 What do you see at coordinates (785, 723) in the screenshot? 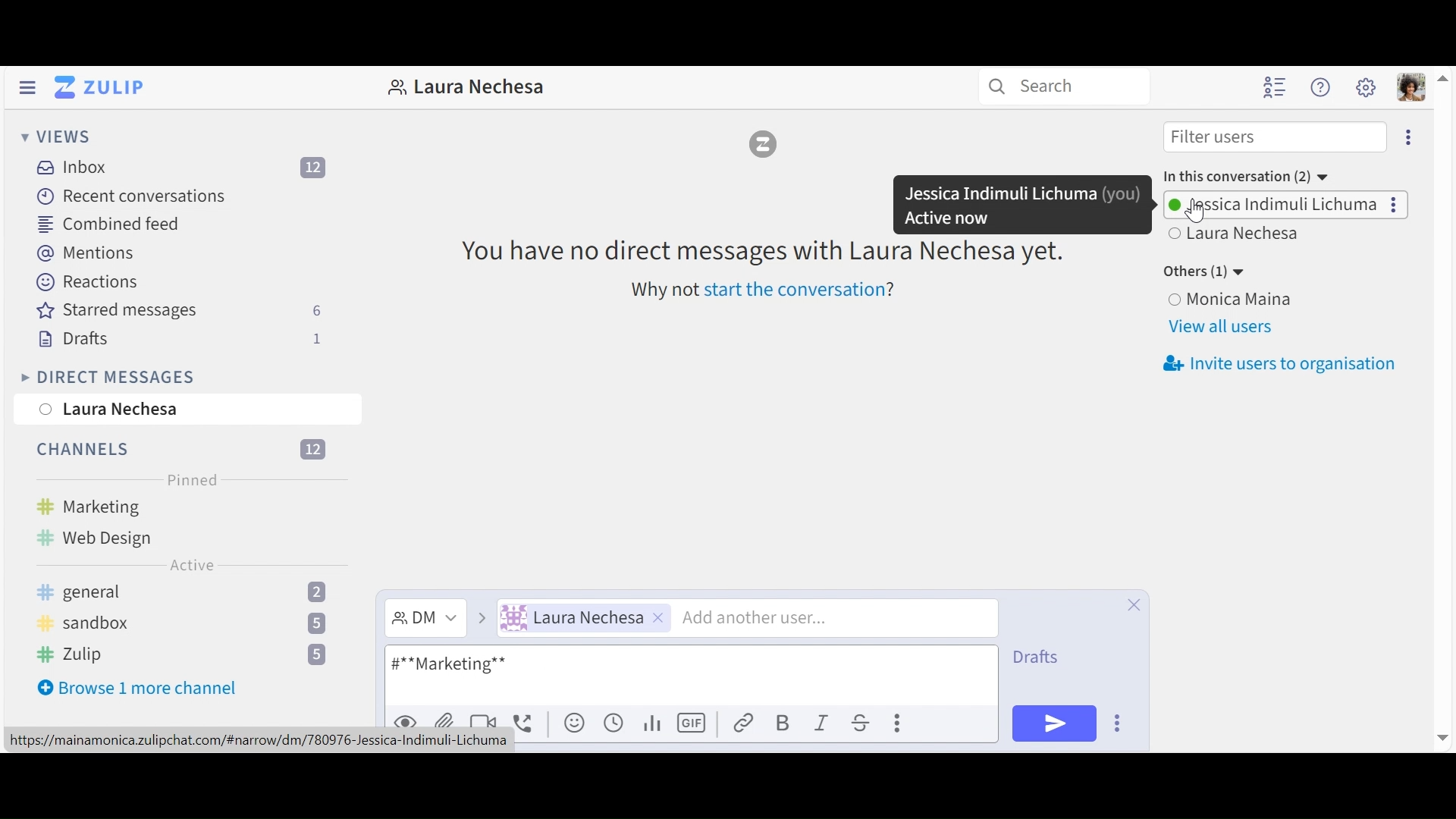
I see `Bold` at bounding box center [785, 723].